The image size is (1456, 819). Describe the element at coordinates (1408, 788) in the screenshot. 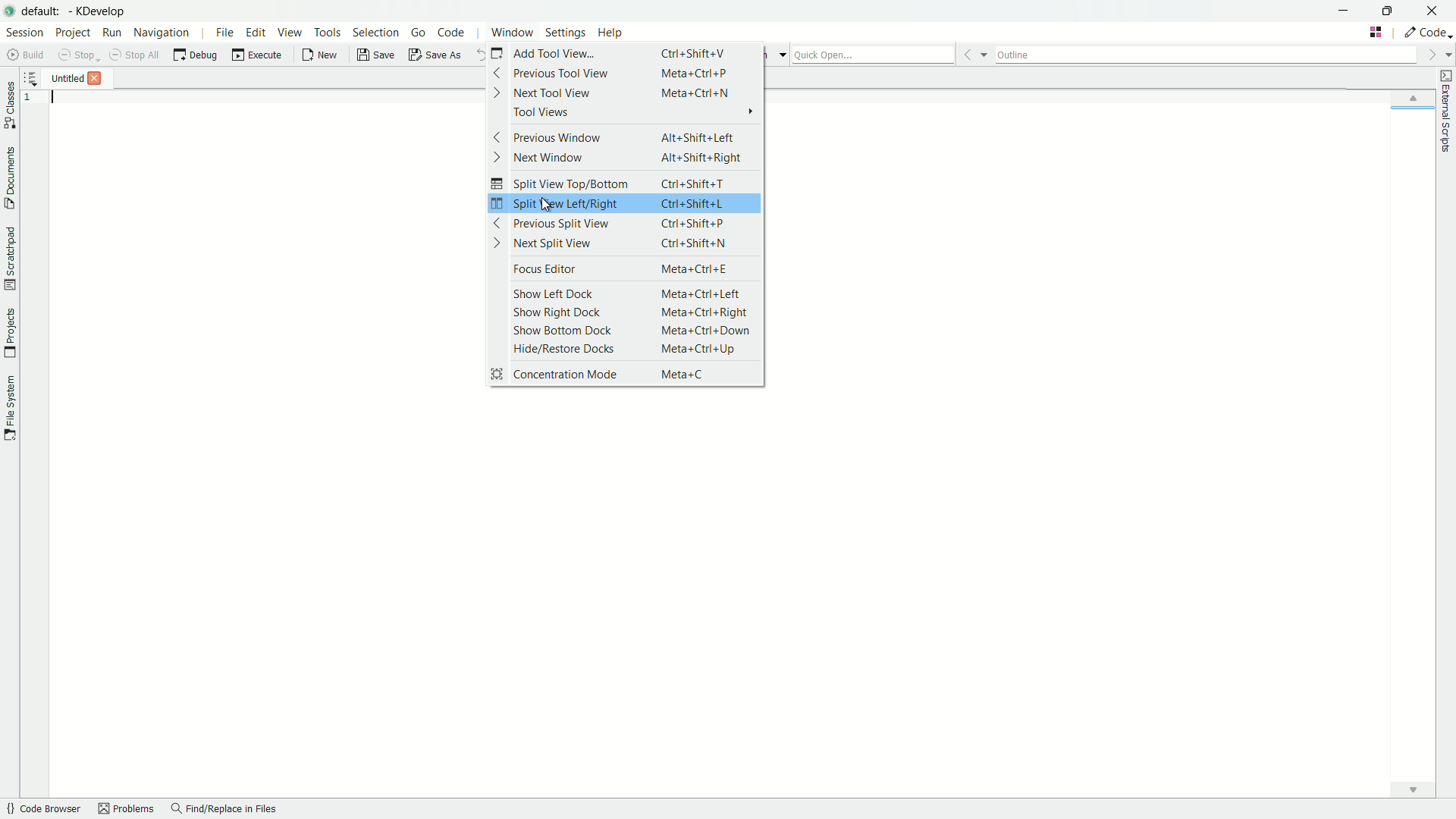

I see `down` at that location.